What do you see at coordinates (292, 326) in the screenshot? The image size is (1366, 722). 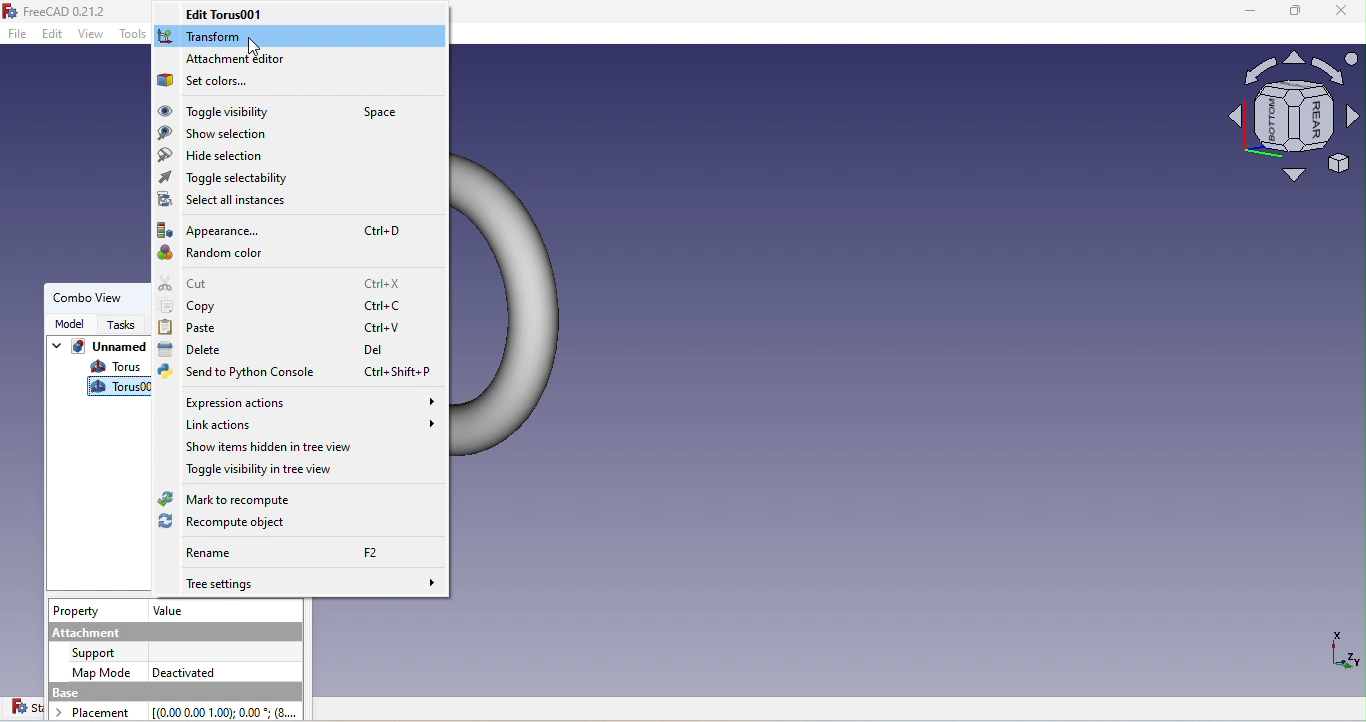 I see `Paste` at bounding box center [292, 326].